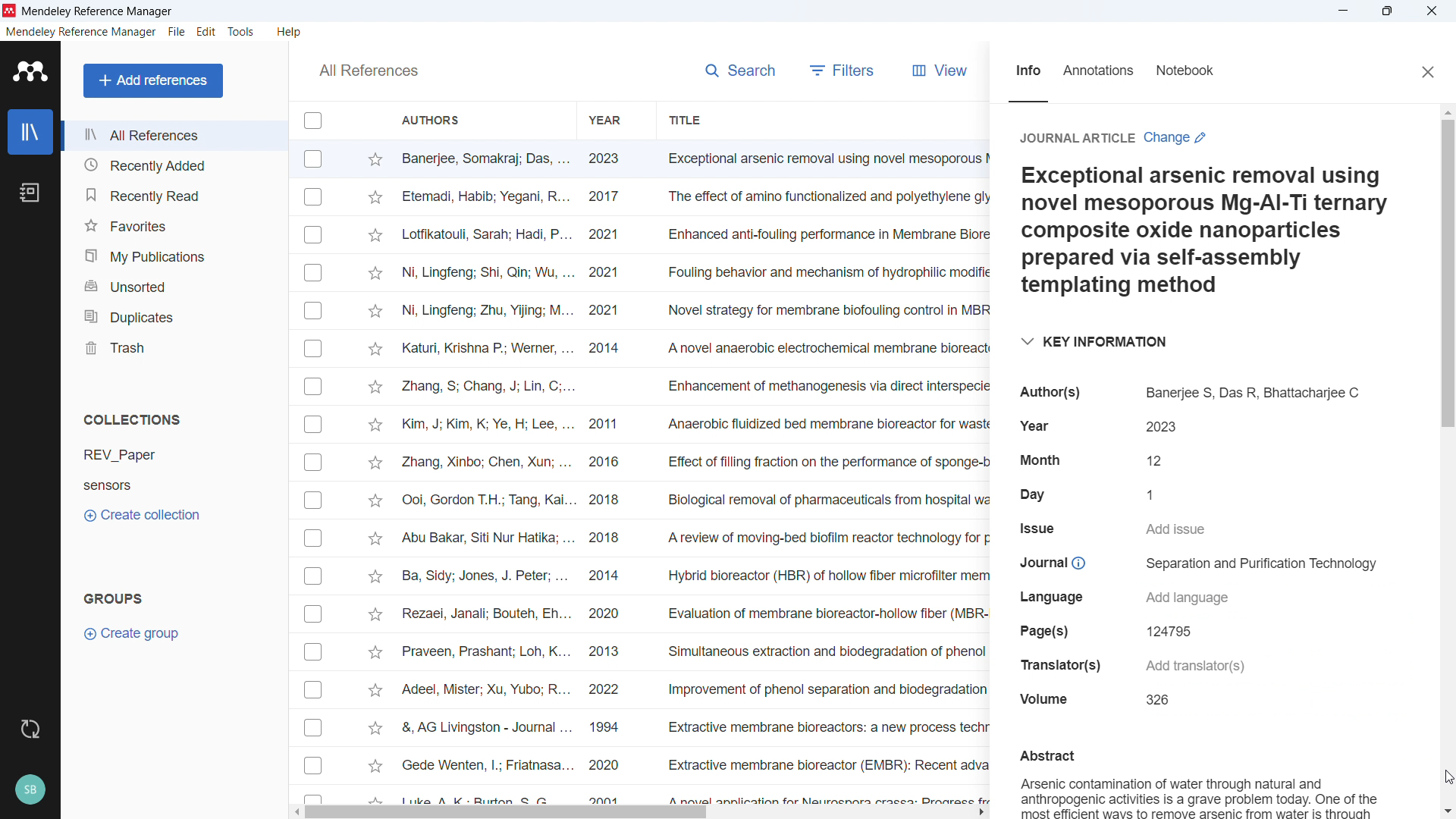  Describe the element at coordinates (81, 33) in the screenshot. I see `Mendeley reference manager ` at that location.